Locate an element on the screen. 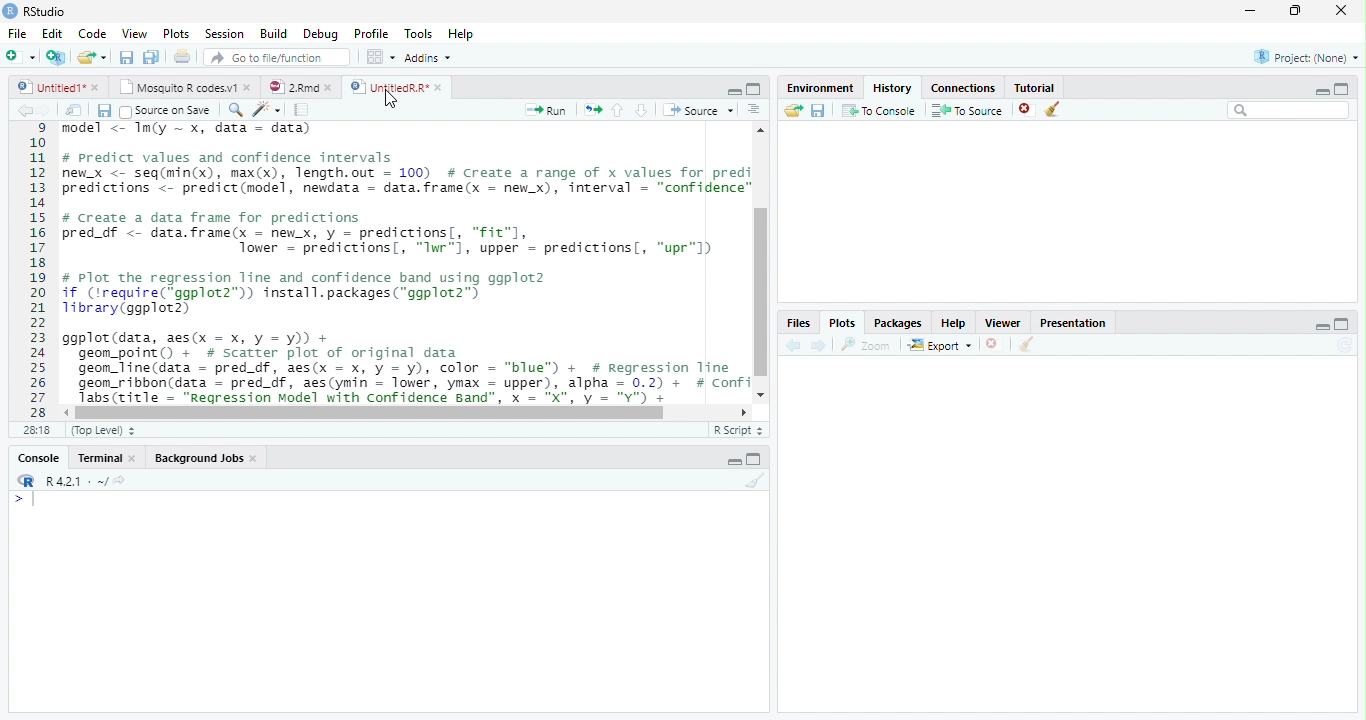 Image resolution: width=1366 pixels, height=720 pixels. Maximize is located at coordinates (1340, 325).